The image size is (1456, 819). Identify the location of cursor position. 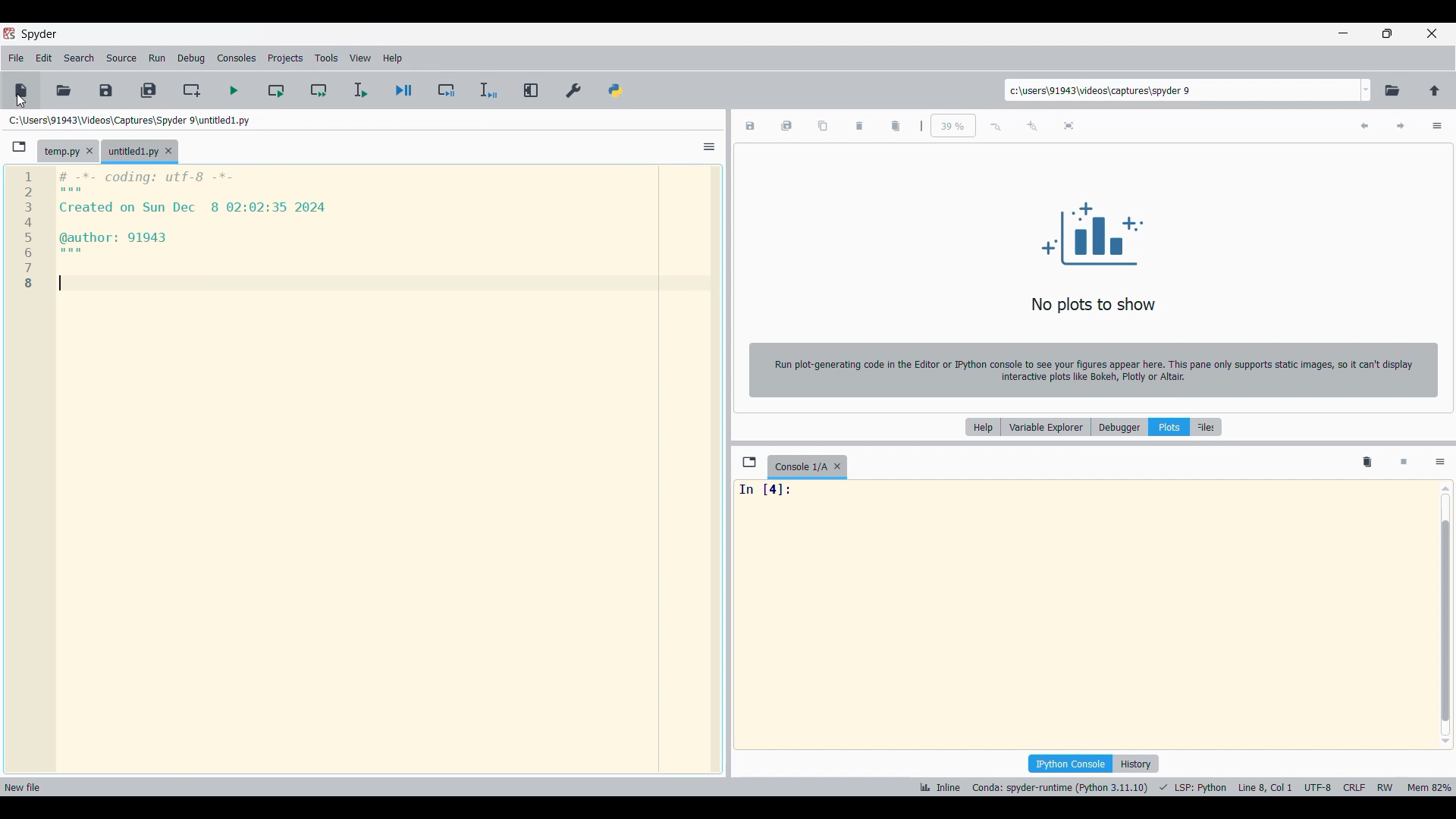
(1260, 787).